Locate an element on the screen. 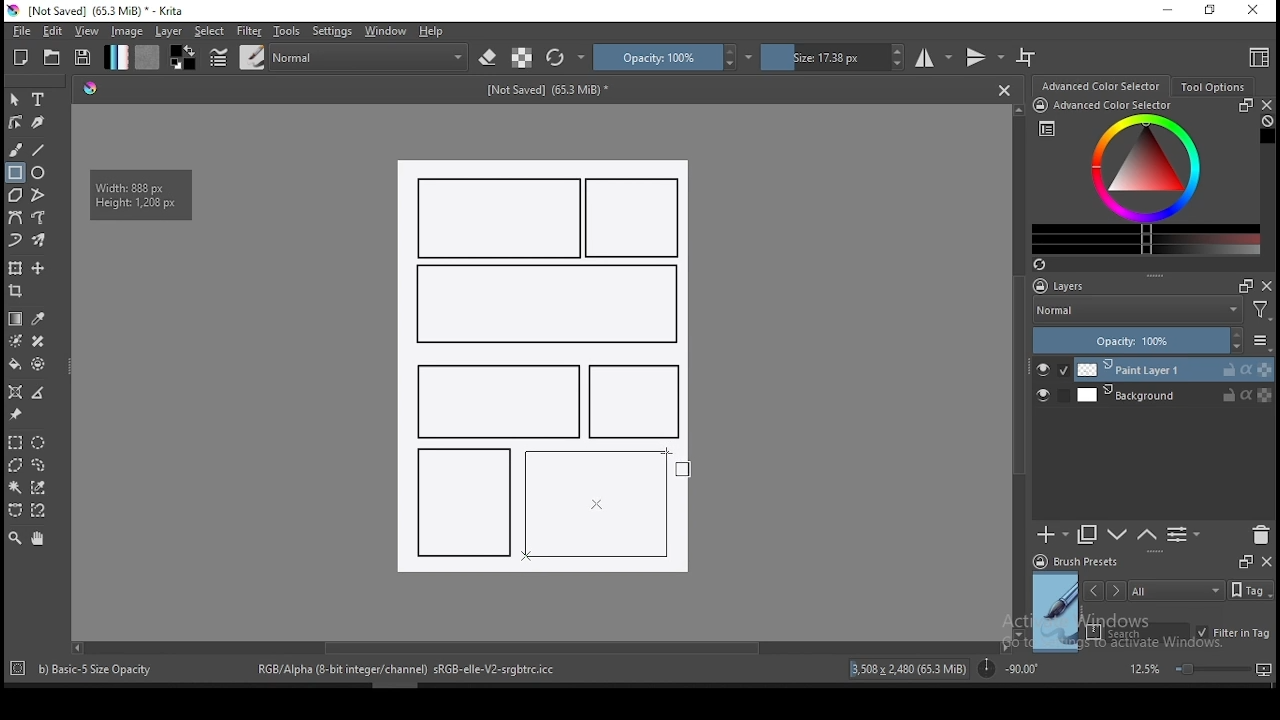 The image size is (1280, 720). freehand path tool is located at coordinates (40, 218).